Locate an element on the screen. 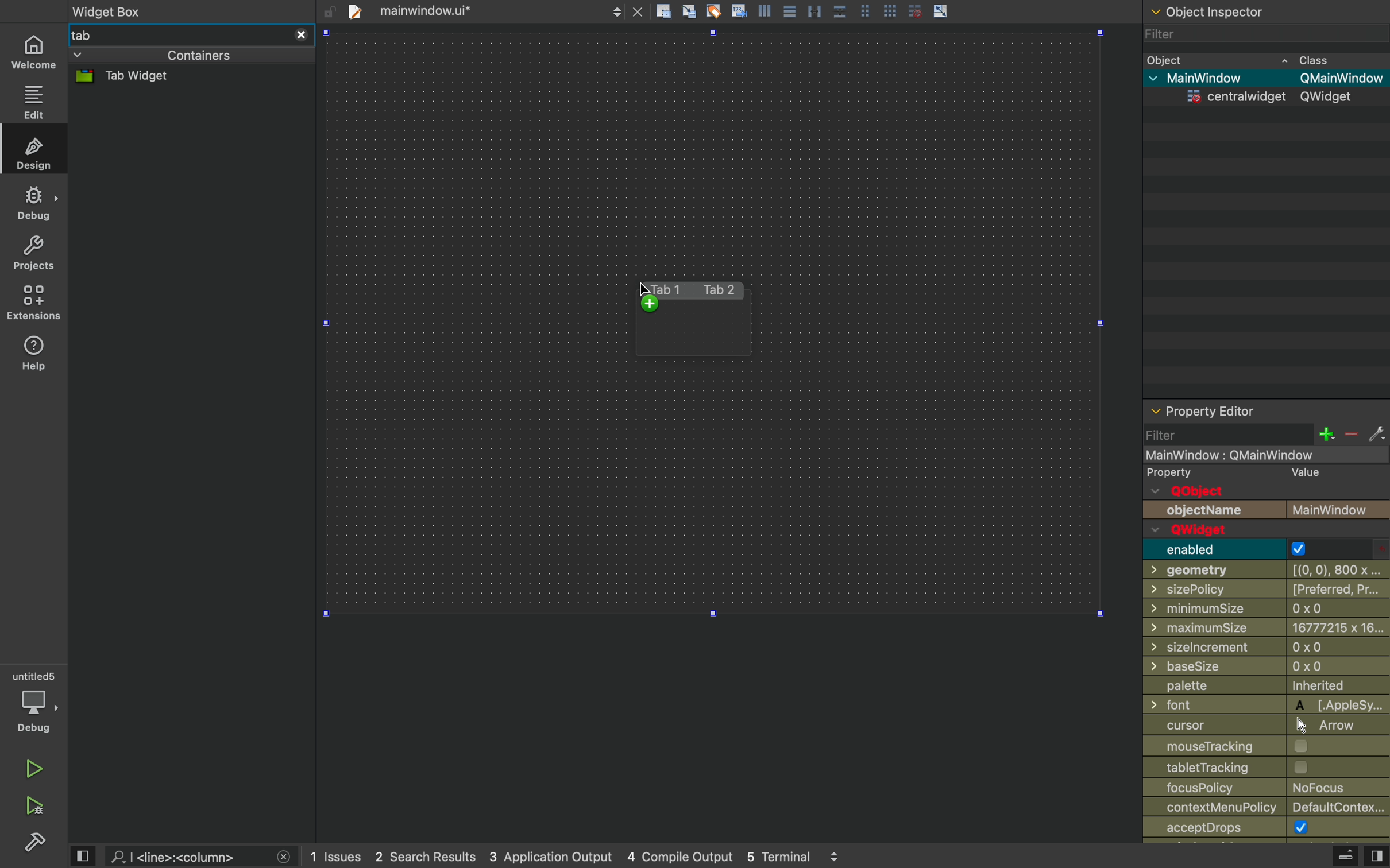 The image size is (1390, 868). cursor is located at coordinates (647, 297).